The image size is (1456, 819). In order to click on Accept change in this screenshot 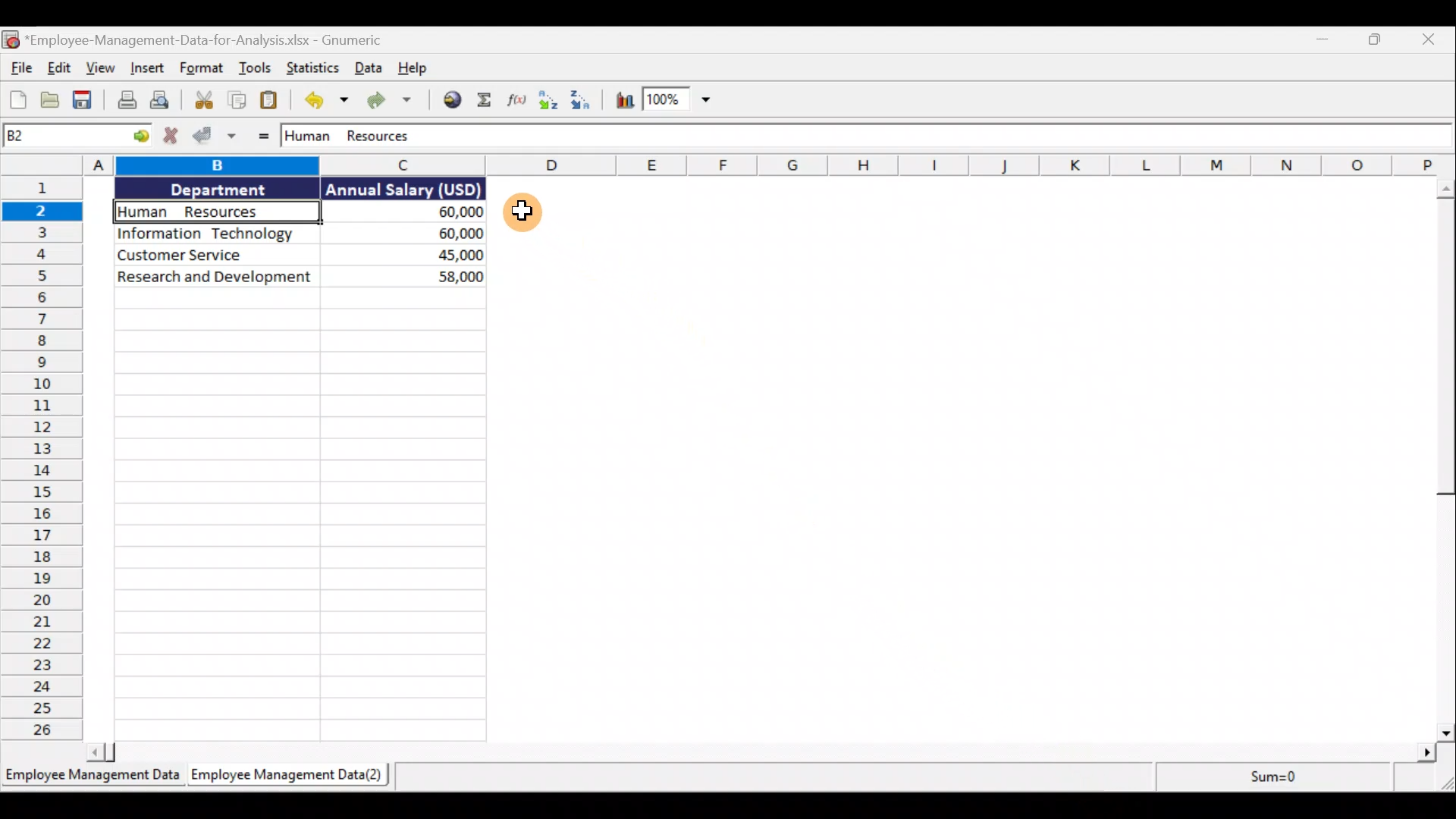, I will do `click(220, 136)`.